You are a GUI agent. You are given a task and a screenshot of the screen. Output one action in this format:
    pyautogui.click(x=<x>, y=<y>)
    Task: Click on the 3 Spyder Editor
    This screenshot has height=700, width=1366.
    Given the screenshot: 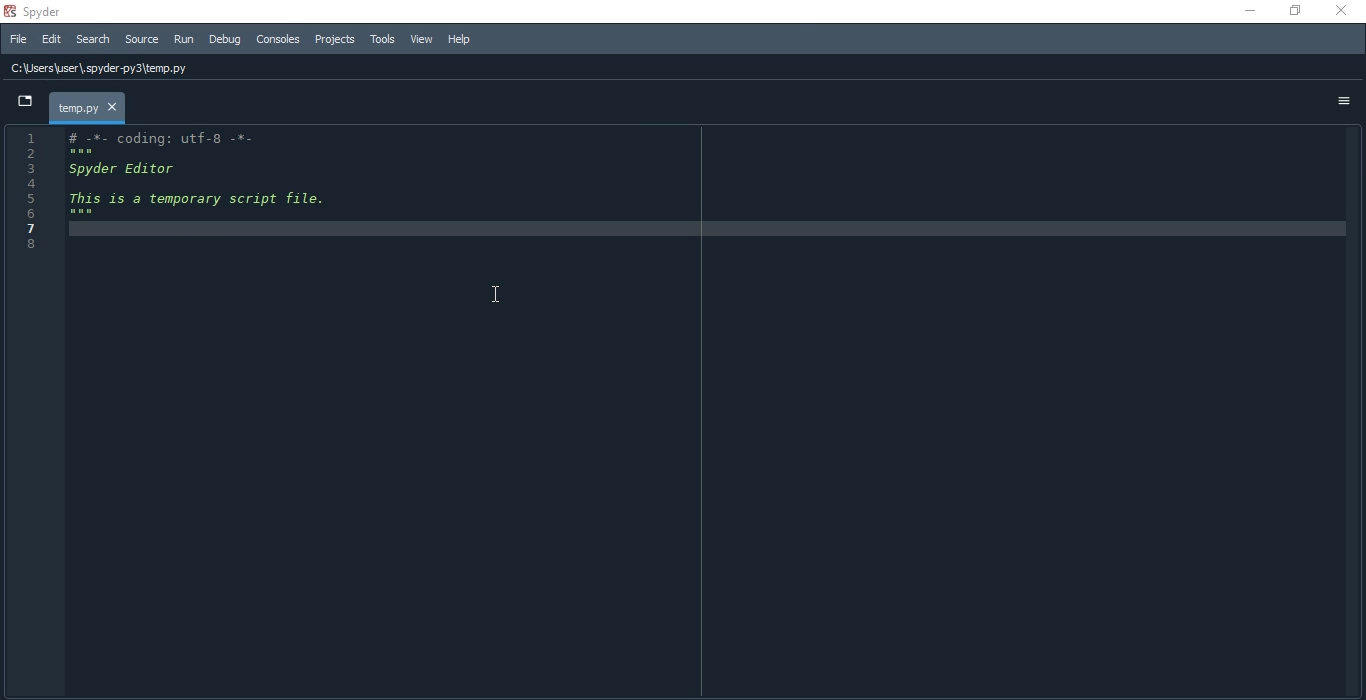 What is the action you would take?
    pyautogui.click(x=119, y=168)
    